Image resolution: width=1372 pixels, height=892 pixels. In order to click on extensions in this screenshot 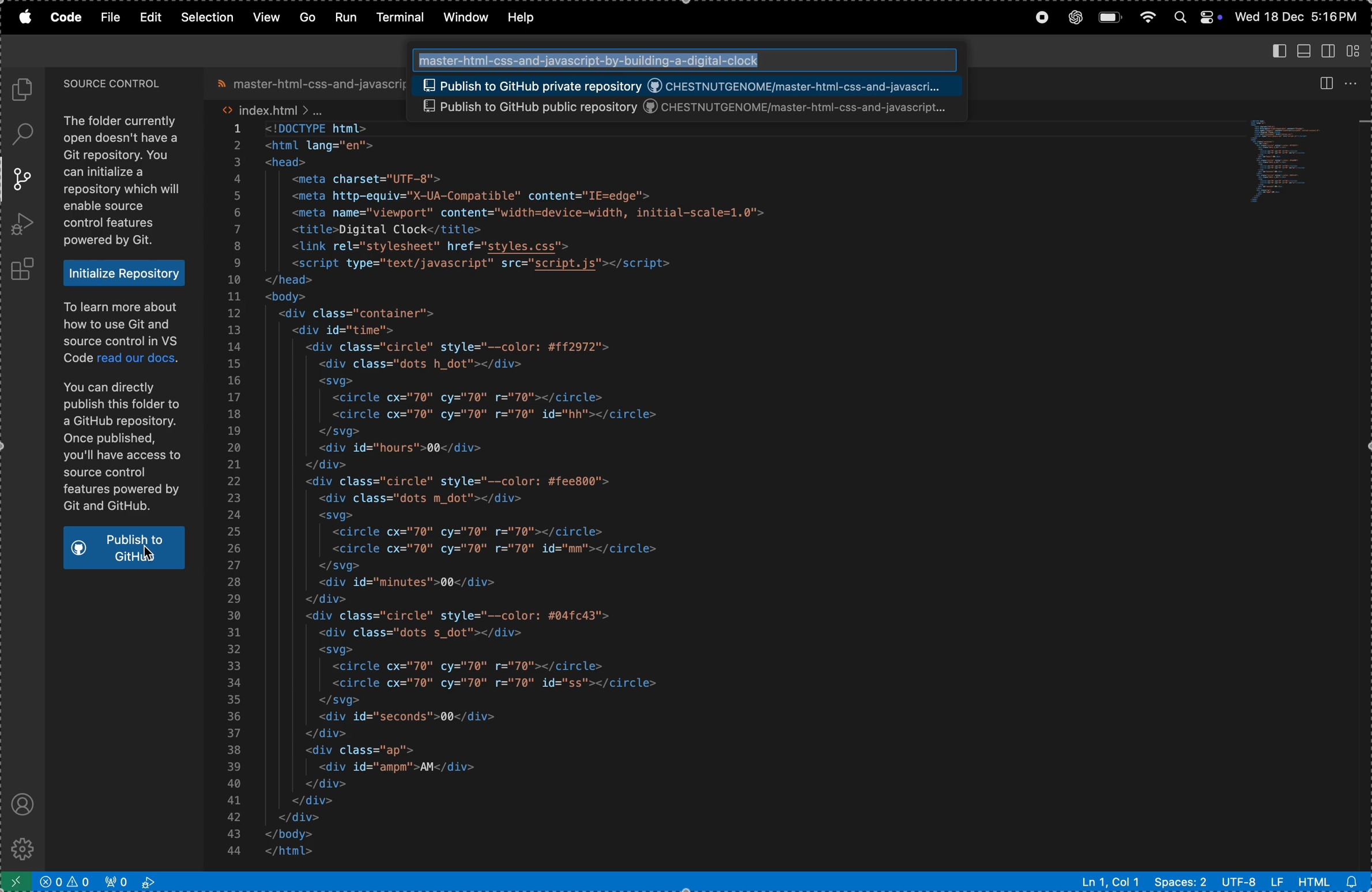, I will do `click(27, 266)`.